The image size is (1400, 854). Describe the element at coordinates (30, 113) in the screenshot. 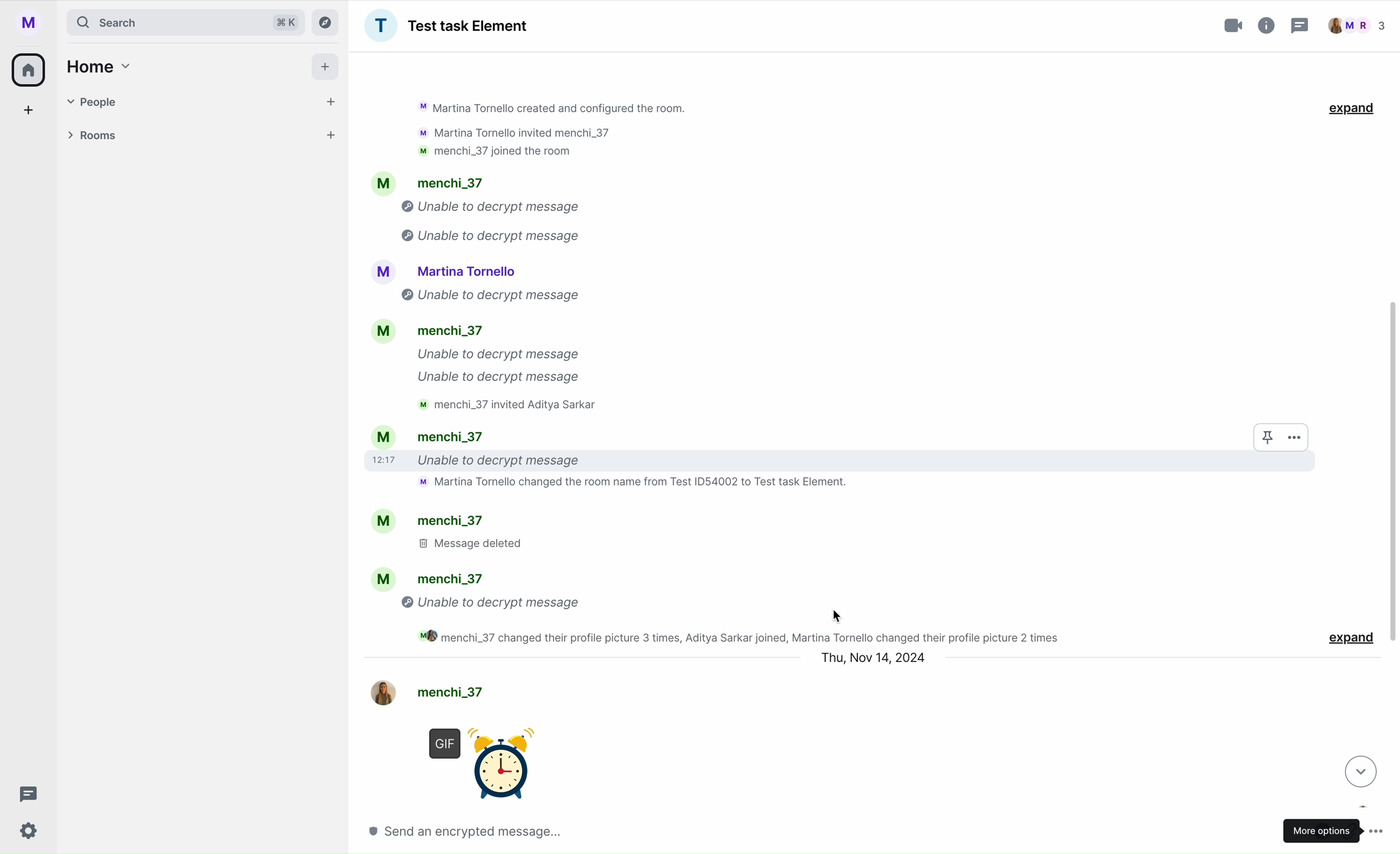

I see `add` at that location.